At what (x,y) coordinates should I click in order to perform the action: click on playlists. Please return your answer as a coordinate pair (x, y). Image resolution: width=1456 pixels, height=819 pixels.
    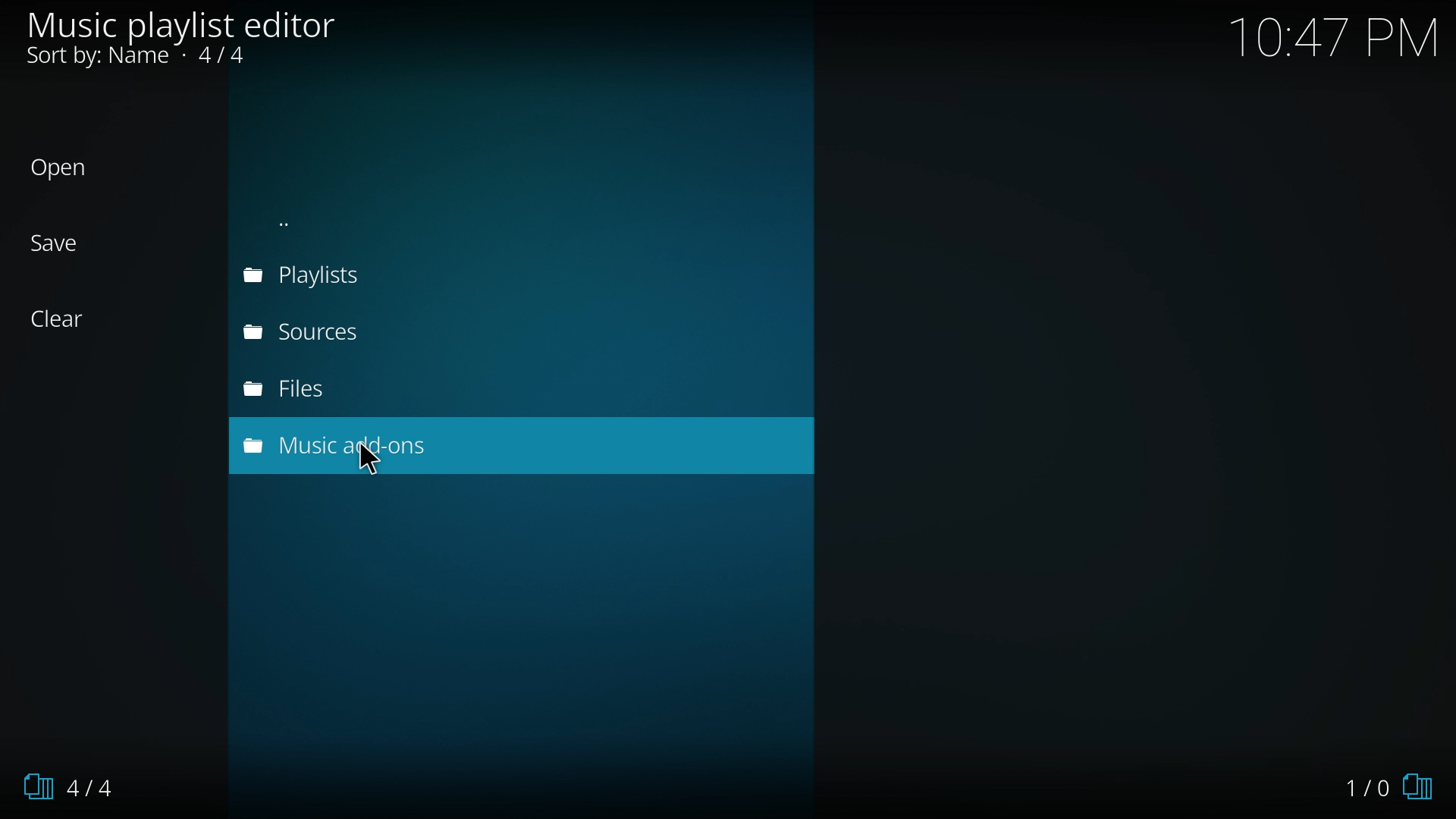
    Looking at the image, I should click on (314, 278).